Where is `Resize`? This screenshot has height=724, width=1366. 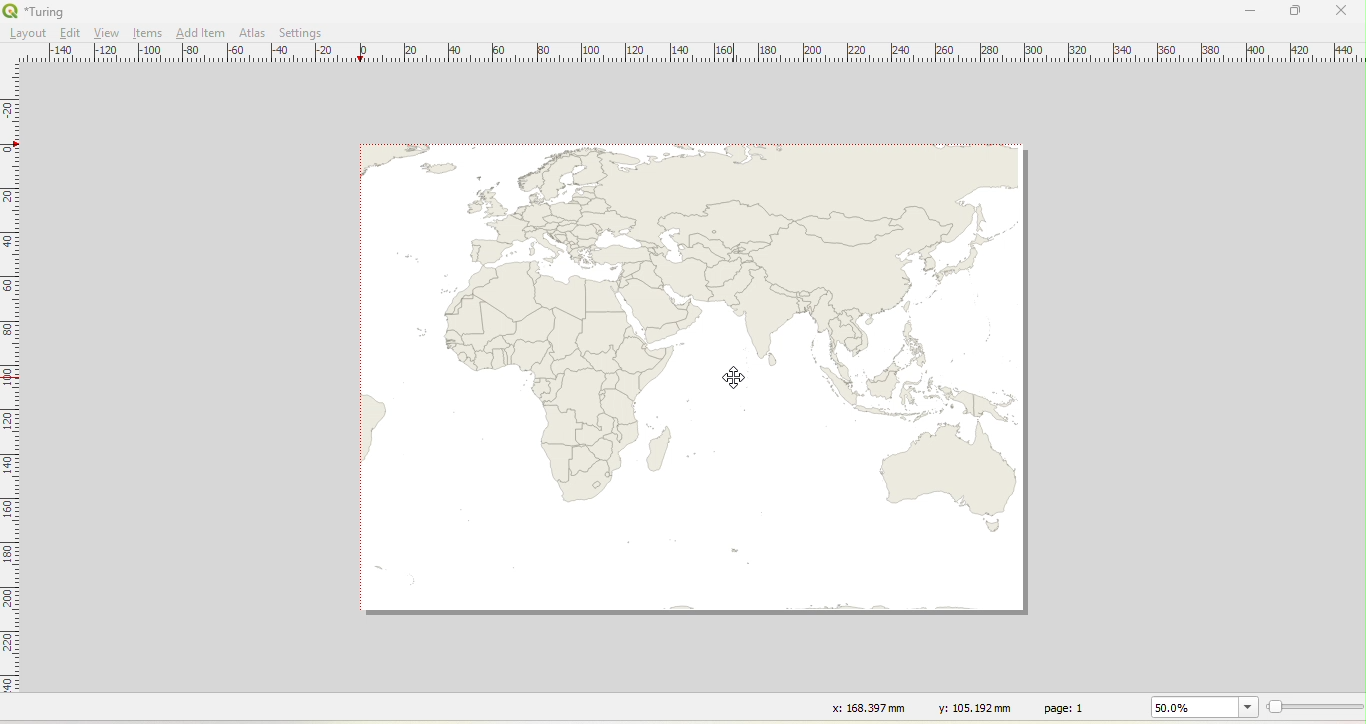 Resize is located at coordinates (1315, 708).